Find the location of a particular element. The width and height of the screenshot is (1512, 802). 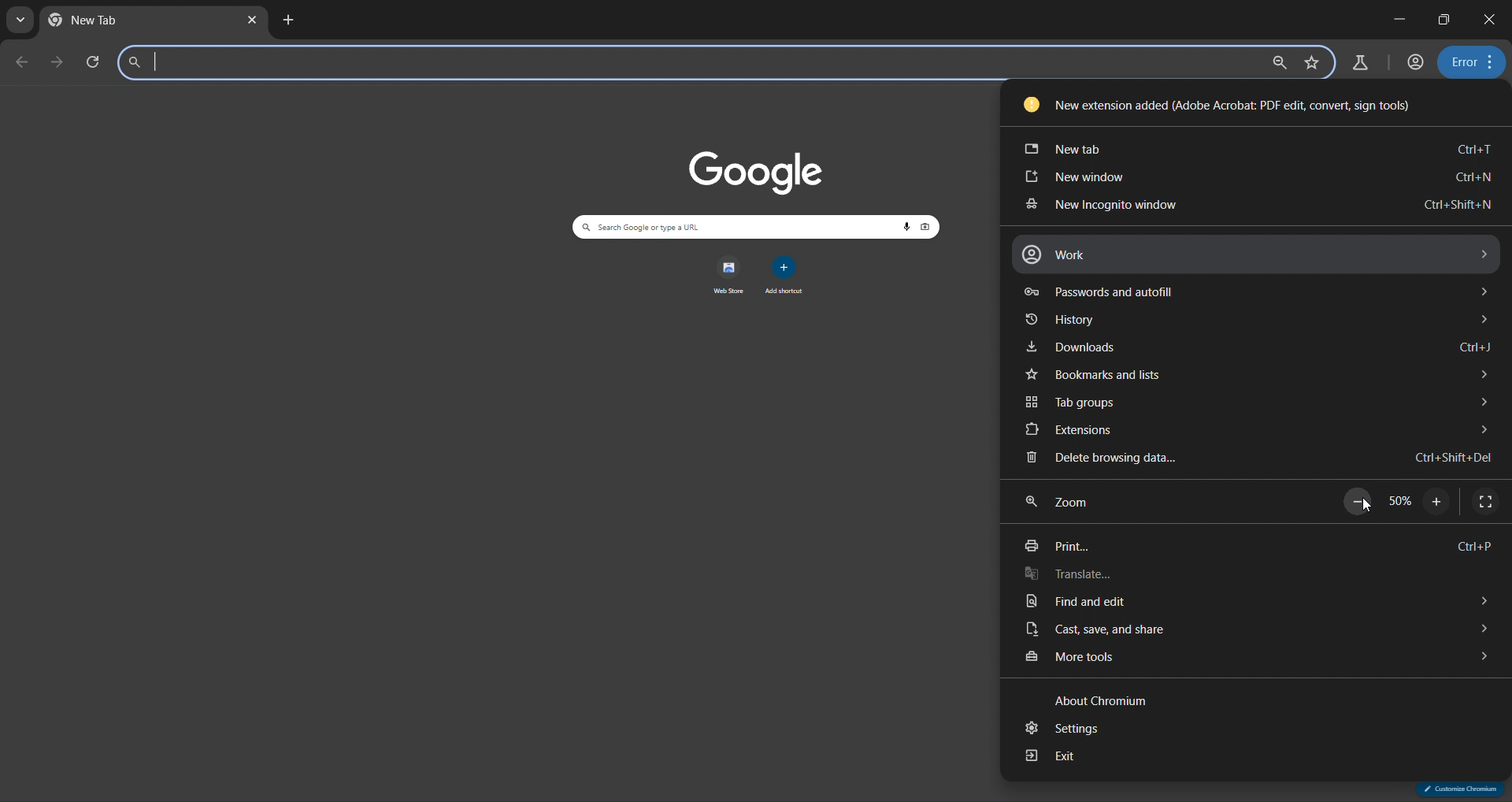

new tab is located at coordinates (289, 21).